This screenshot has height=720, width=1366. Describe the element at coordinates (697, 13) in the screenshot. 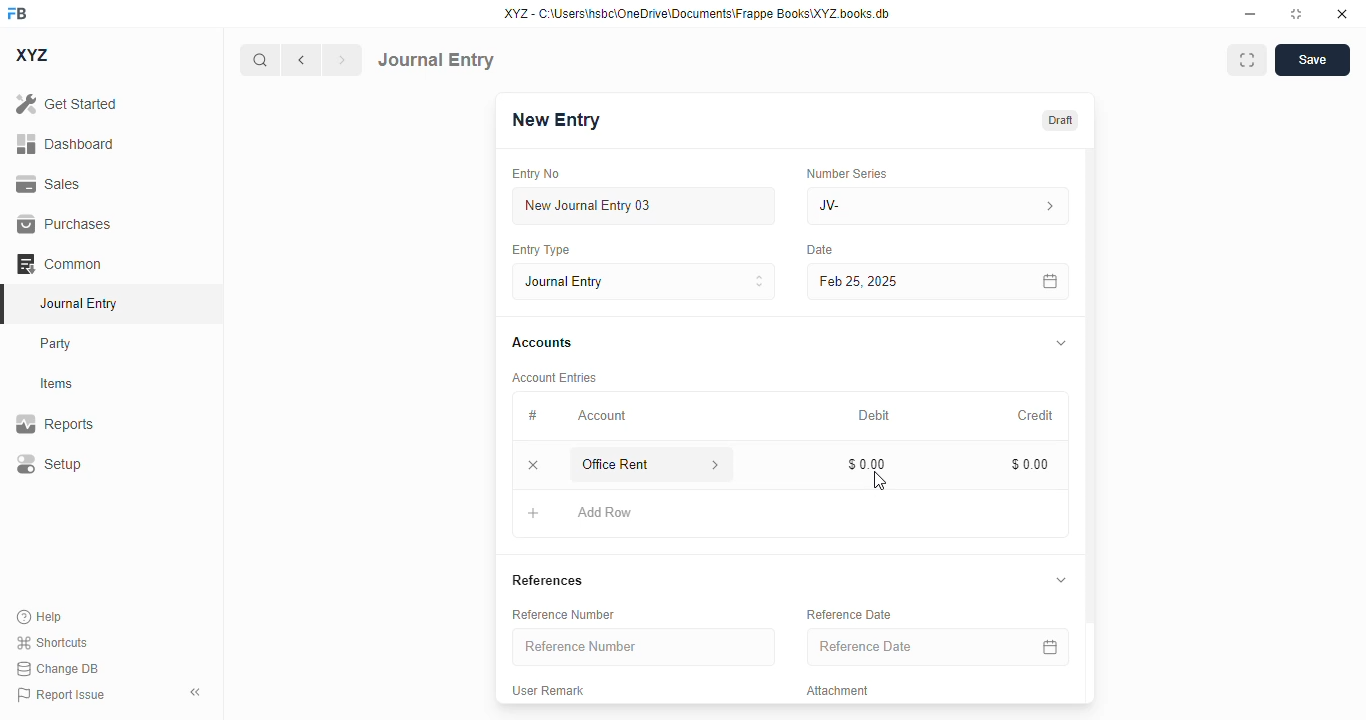

I see `XYZ - C:\Users\hsbc\OneDrive\Documents\Frappe Books\XYZ books.db` at that location.